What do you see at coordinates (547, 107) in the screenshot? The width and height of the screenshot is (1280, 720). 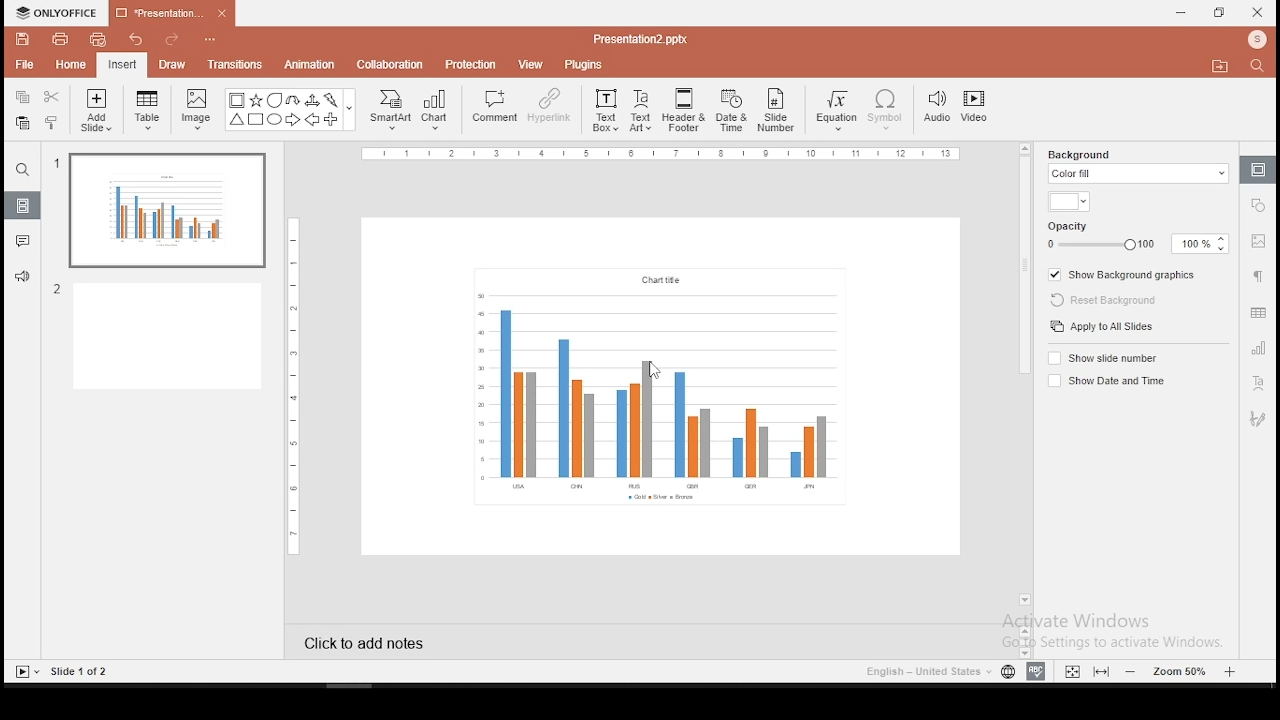 I see `hyperlink` at bounding box center [547, 107].